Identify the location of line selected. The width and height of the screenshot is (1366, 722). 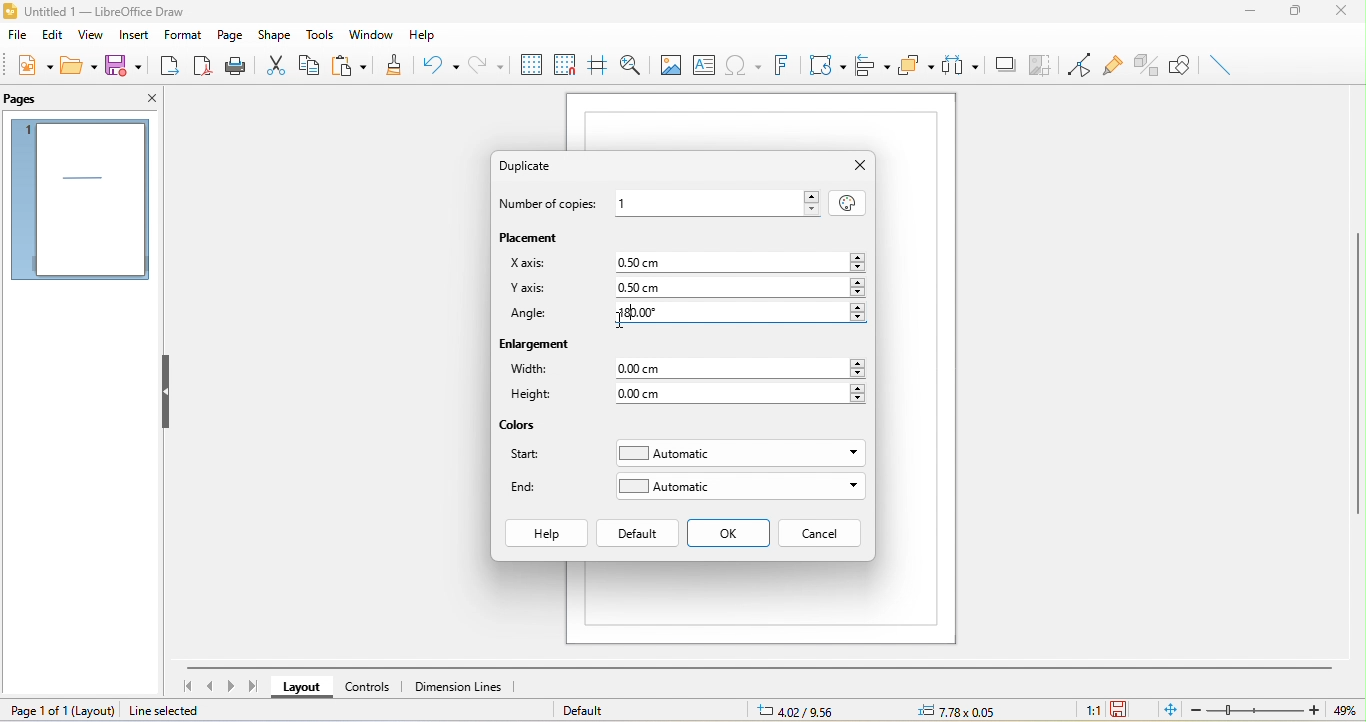
(178, 711).